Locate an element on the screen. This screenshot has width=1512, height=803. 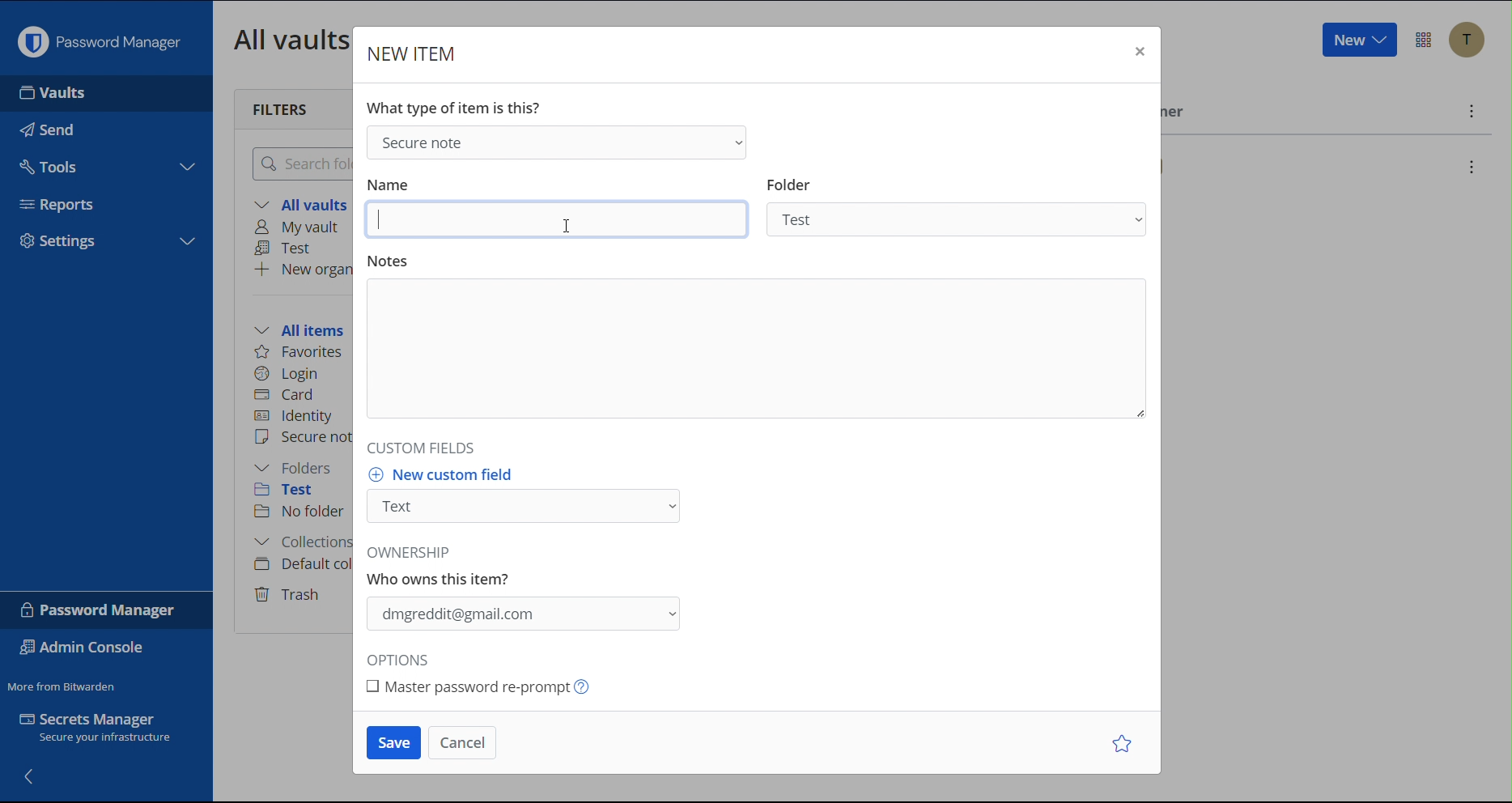
Custom Fields is located at coordinates (417, 447).